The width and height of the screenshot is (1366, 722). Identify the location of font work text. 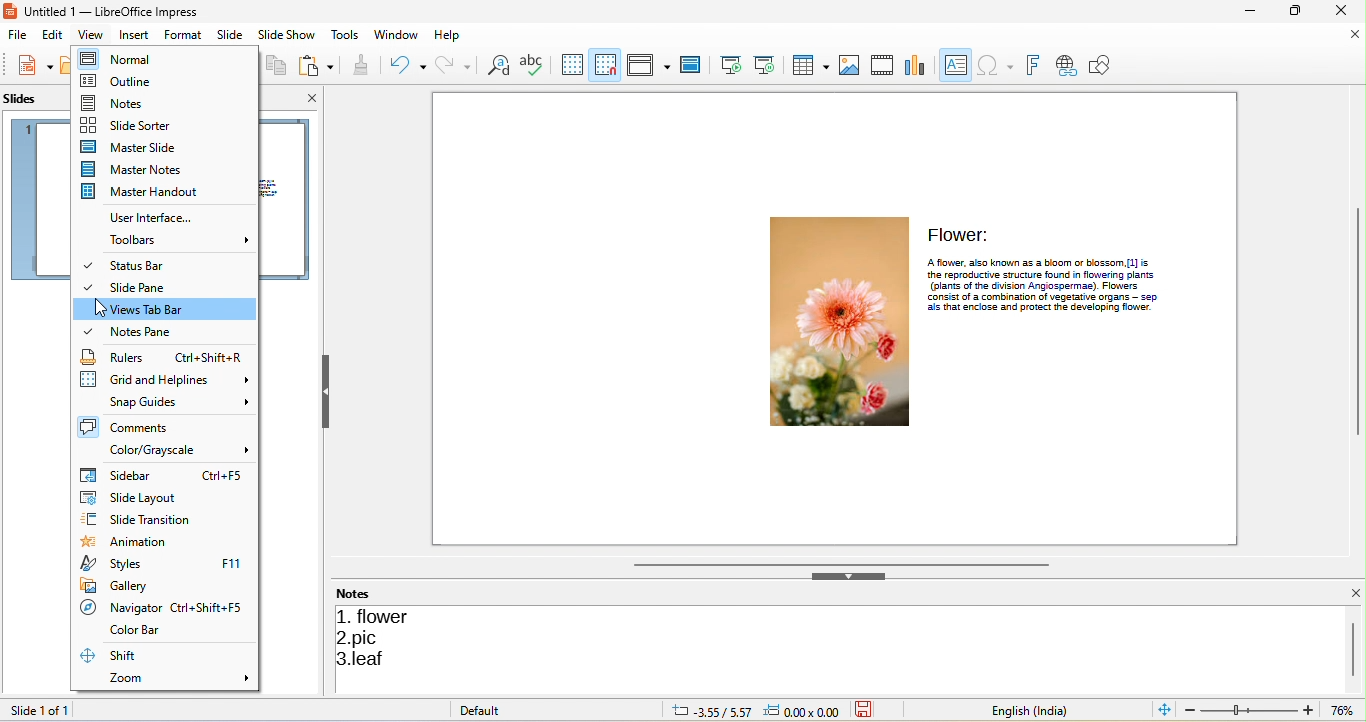
(1032, 63).